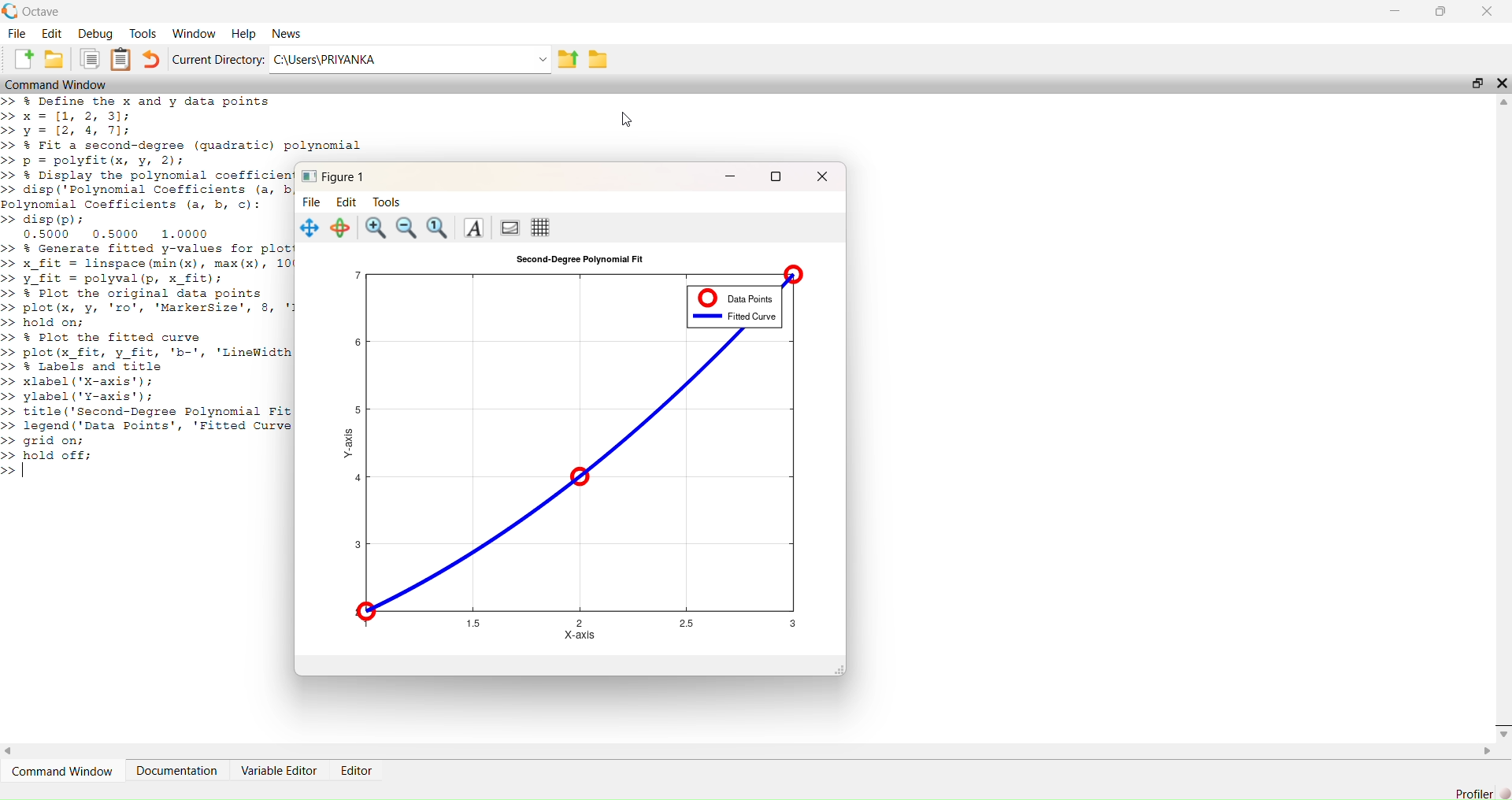  I want to click on Documentation, so click(179, 770).